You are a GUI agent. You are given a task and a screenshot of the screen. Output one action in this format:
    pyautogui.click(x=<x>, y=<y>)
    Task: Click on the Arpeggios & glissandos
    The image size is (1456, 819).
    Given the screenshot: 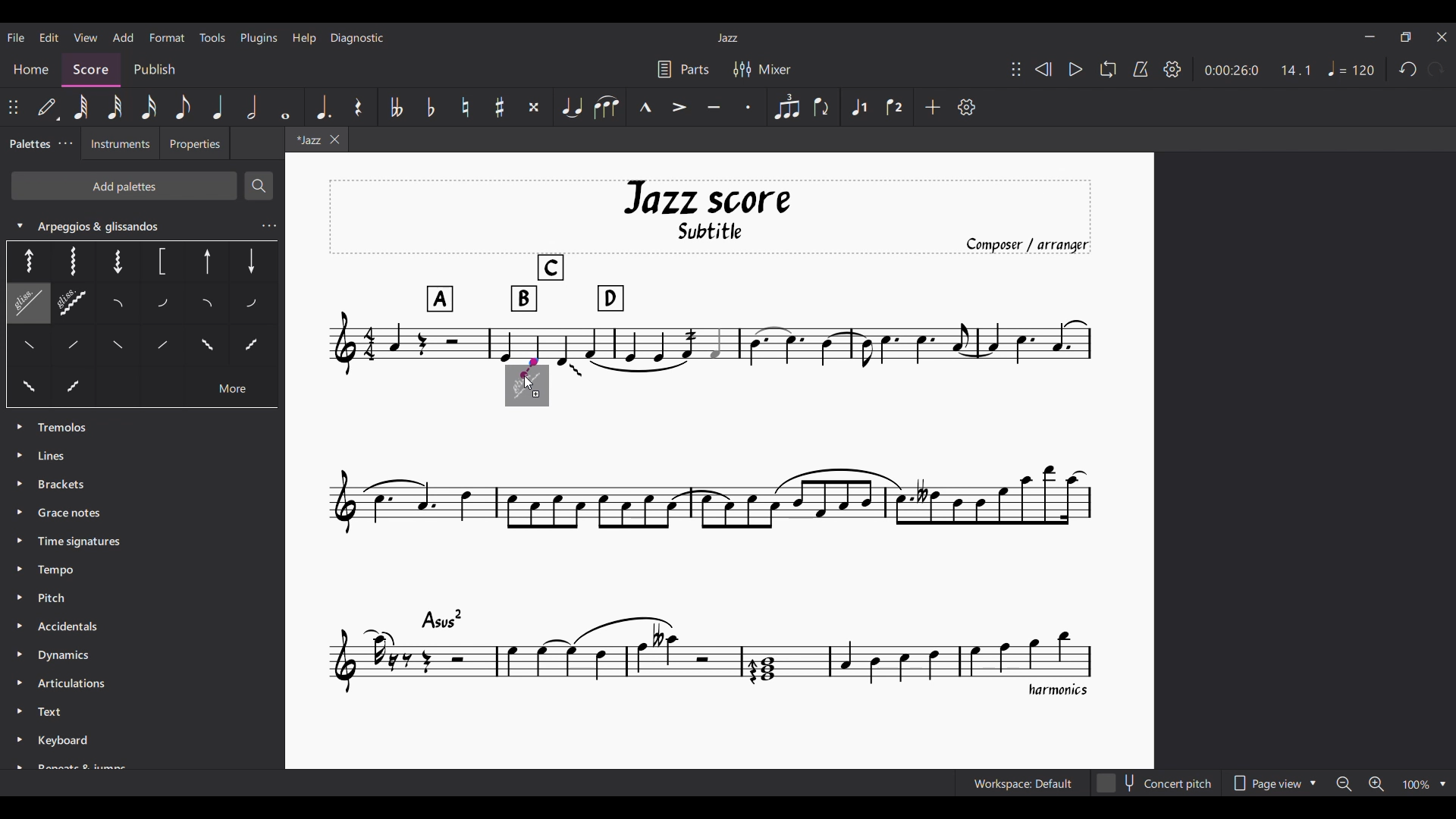 What is the action you would take?
    pyautogui.click(x=126, y=223)
    